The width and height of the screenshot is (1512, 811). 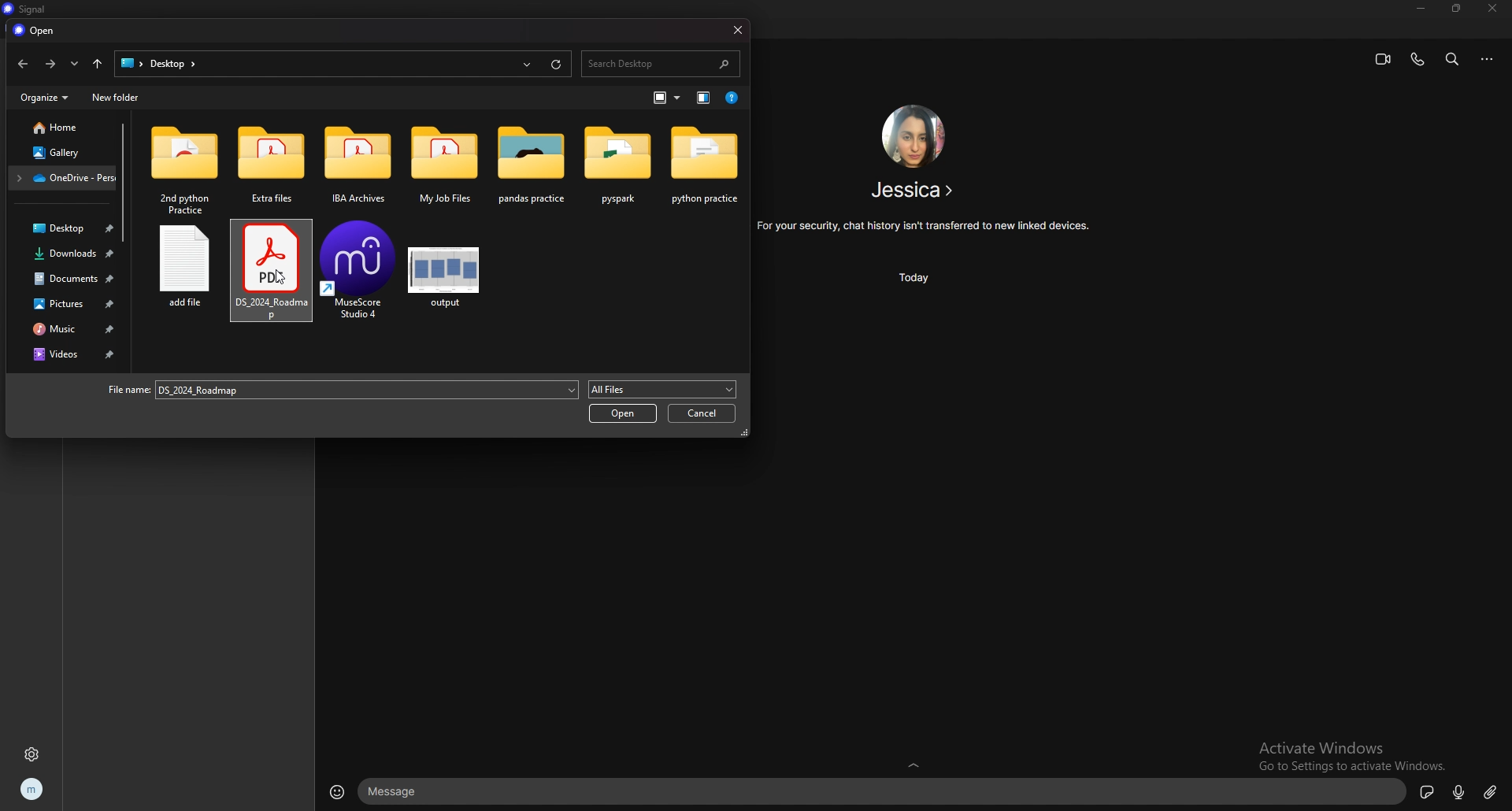 What do you see at coordinates (69, 328) in the screenshot?
I see `music` at bounding box center [69, 328].